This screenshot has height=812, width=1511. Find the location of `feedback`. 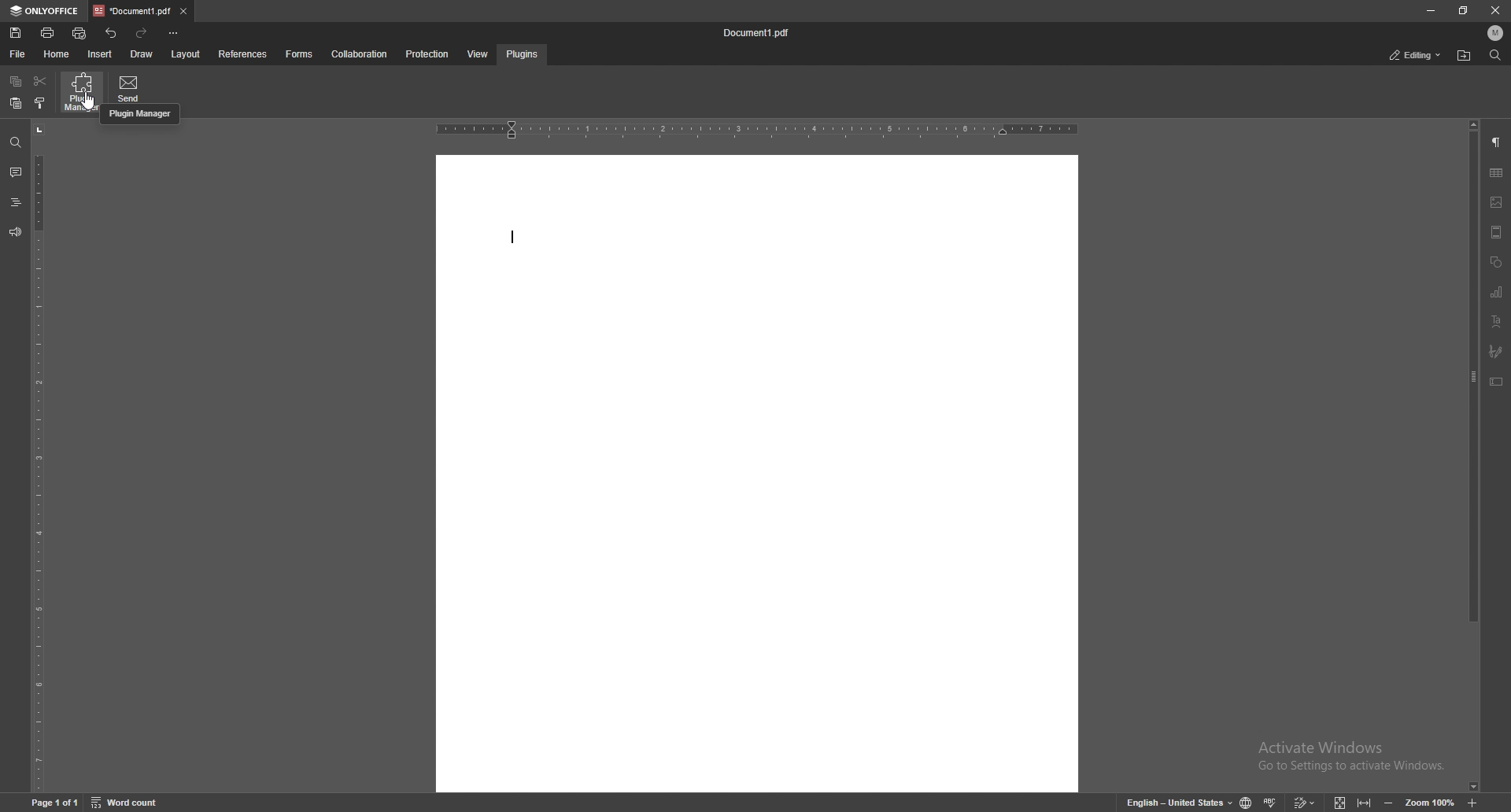

feedback is located at coordinates (16, 232).